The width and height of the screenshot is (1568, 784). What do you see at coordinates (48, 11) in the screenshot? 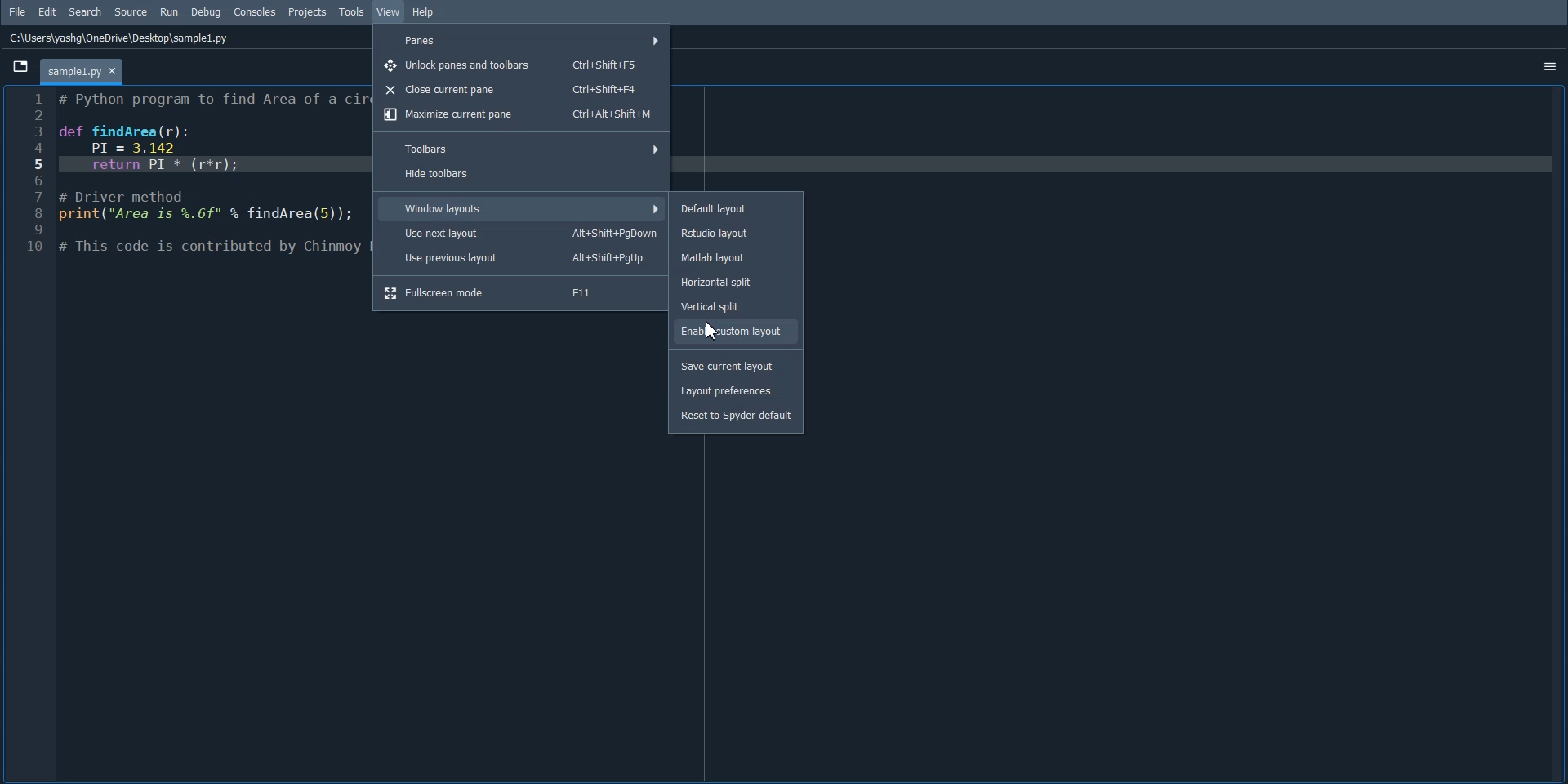
I see `Edit` at bounding box center [48, 11].